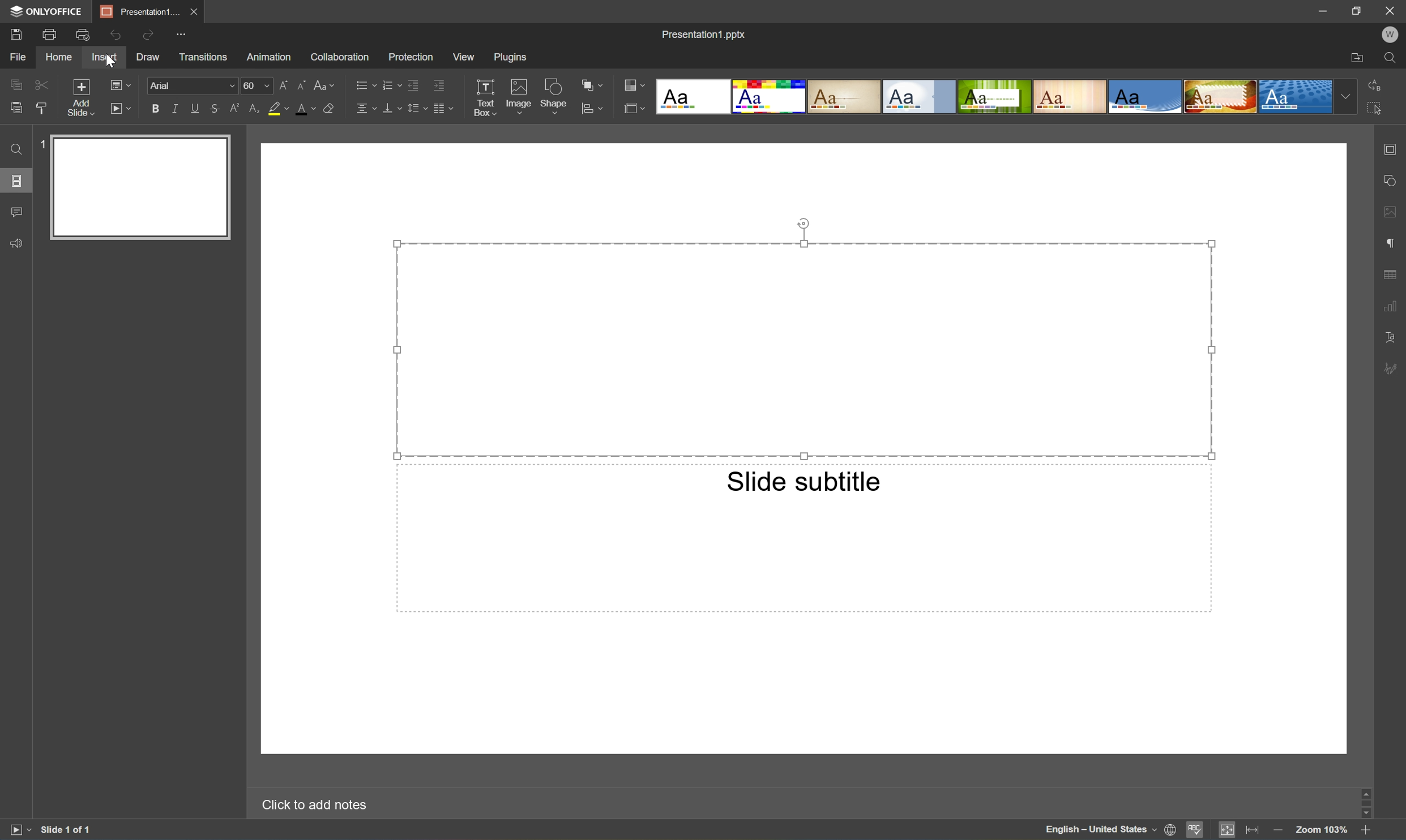 This screenshot has height=840, width=1406. I want to click on Horizontal align, so click(362, 109).